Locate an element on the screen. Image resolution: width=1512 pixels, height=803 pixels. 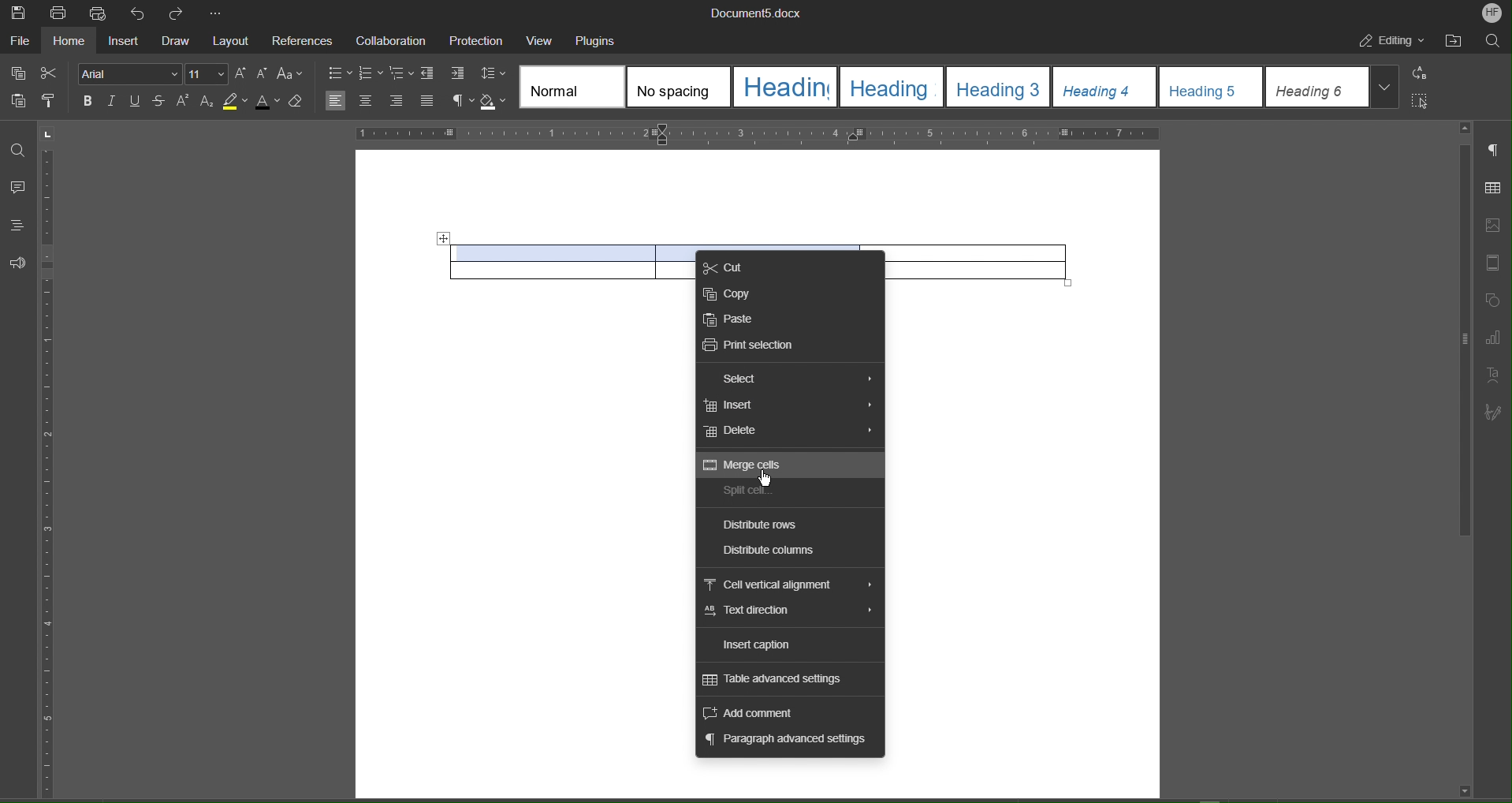
Alignment is located at coordinates (380, 101).